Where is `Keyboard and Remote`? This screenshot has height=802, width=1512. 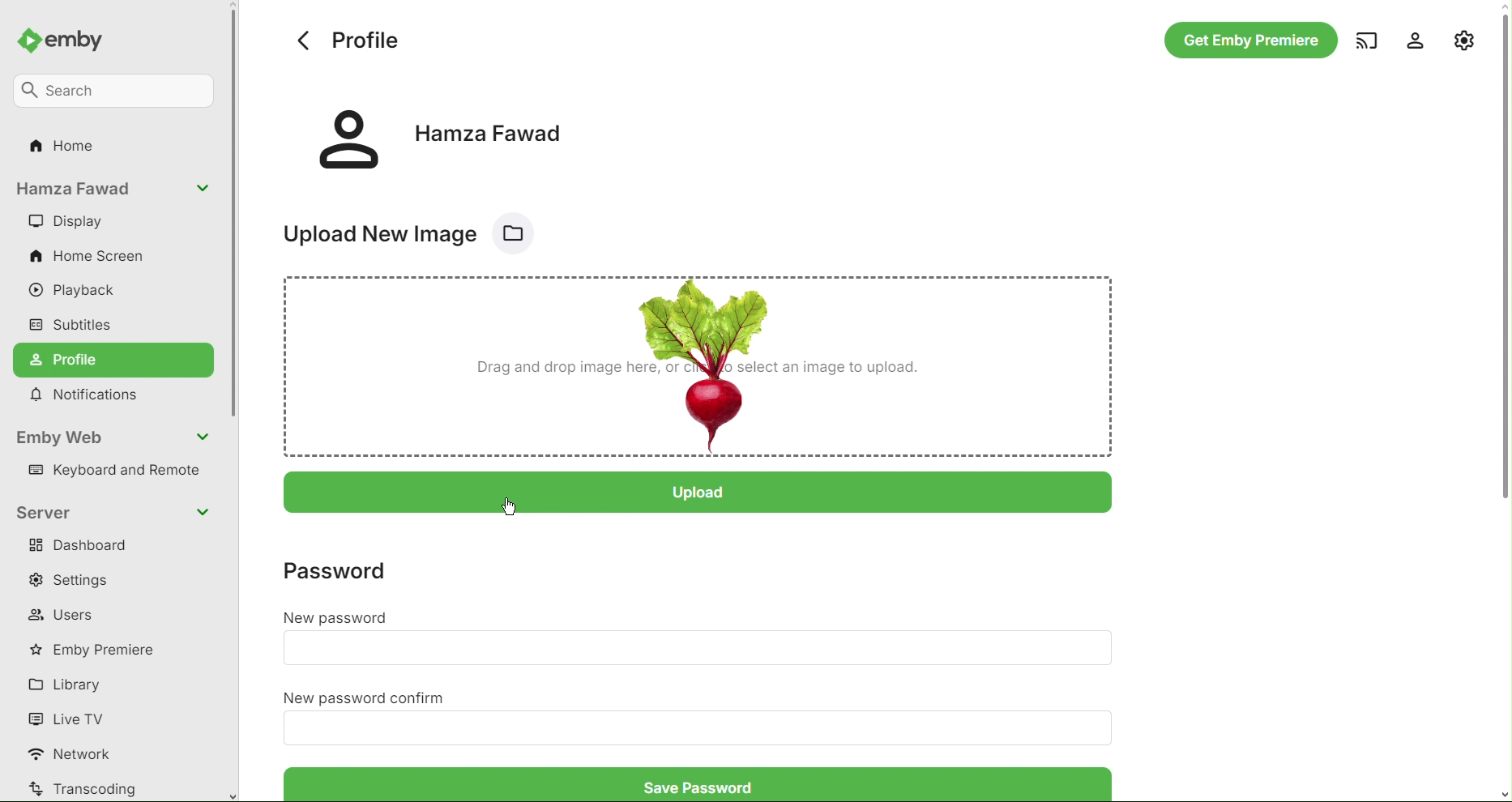 Keyboard and Remote is located at coordinates (119, 472).